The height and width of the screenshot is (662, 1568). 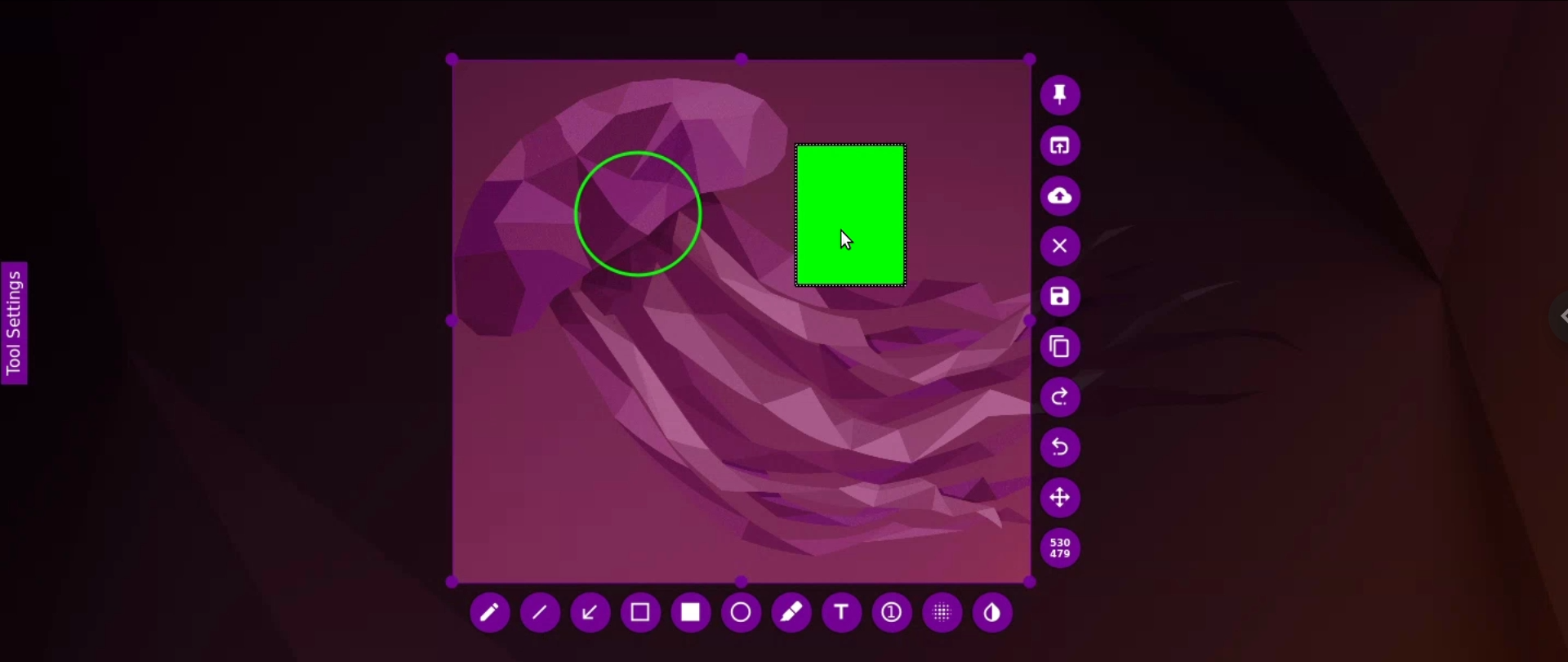 What do you see at coordinates (792, 612) in the screenshot?
I see `marker` at bounding box center [792, 612].